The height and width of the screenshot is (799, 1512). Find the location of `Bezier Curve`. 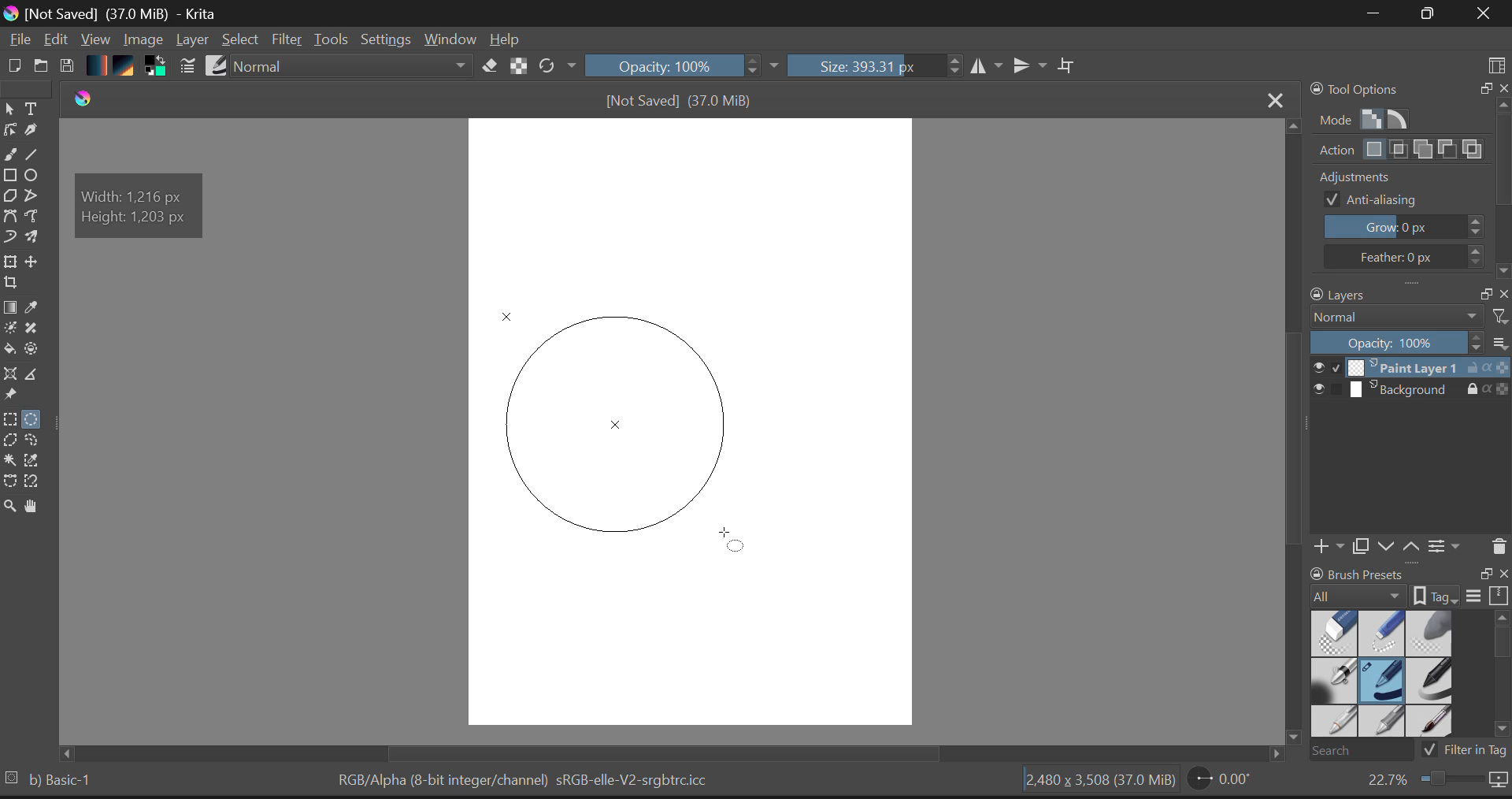

Bezier Curve is located at coordinates (11, 217).